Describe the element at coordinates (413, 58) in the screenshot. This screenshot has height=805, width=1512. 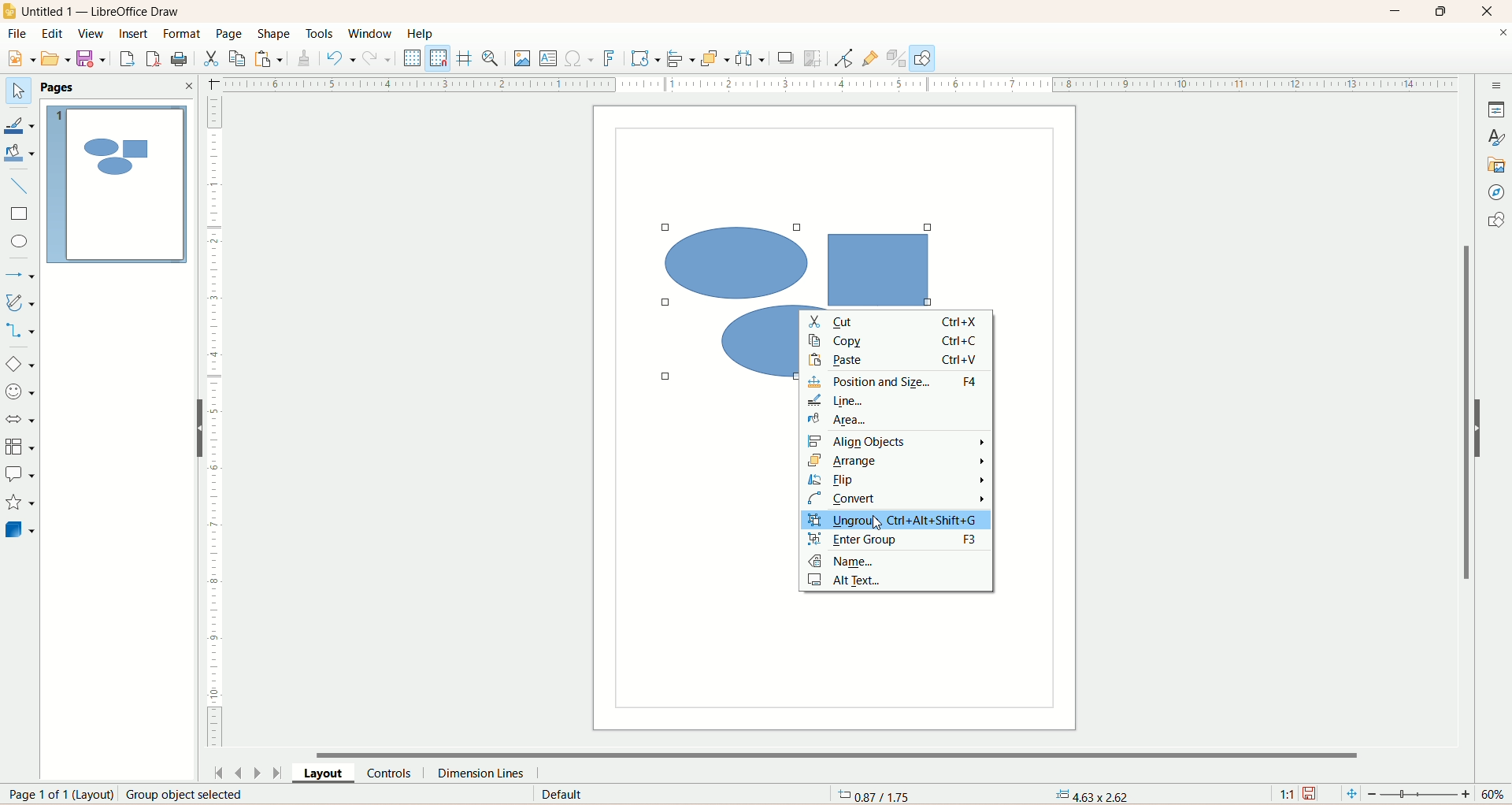
I see `display grid` at that location.